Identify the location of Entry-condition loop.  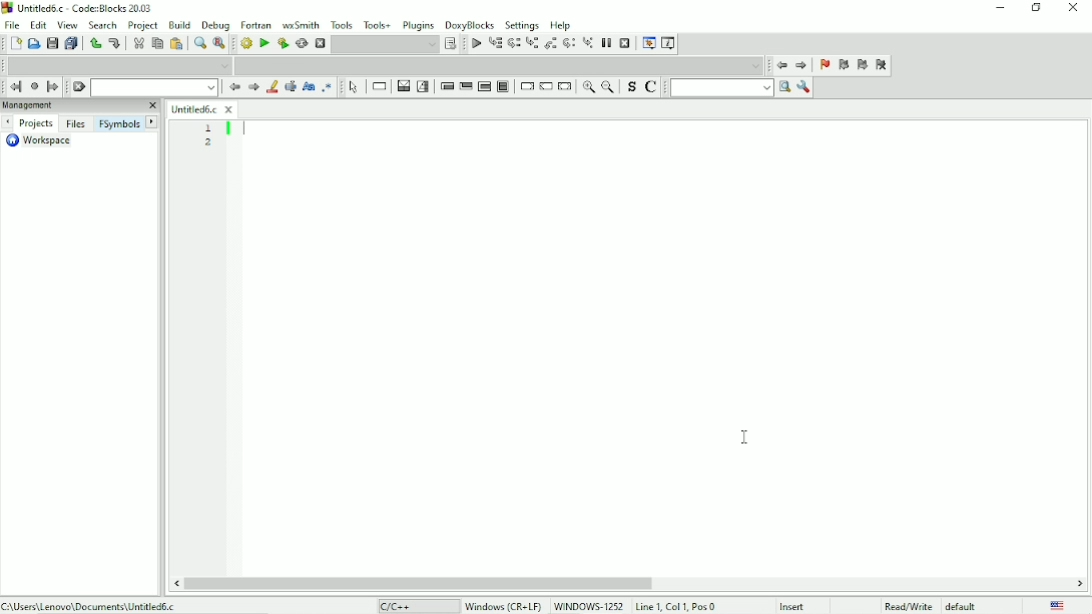
(445, 86).